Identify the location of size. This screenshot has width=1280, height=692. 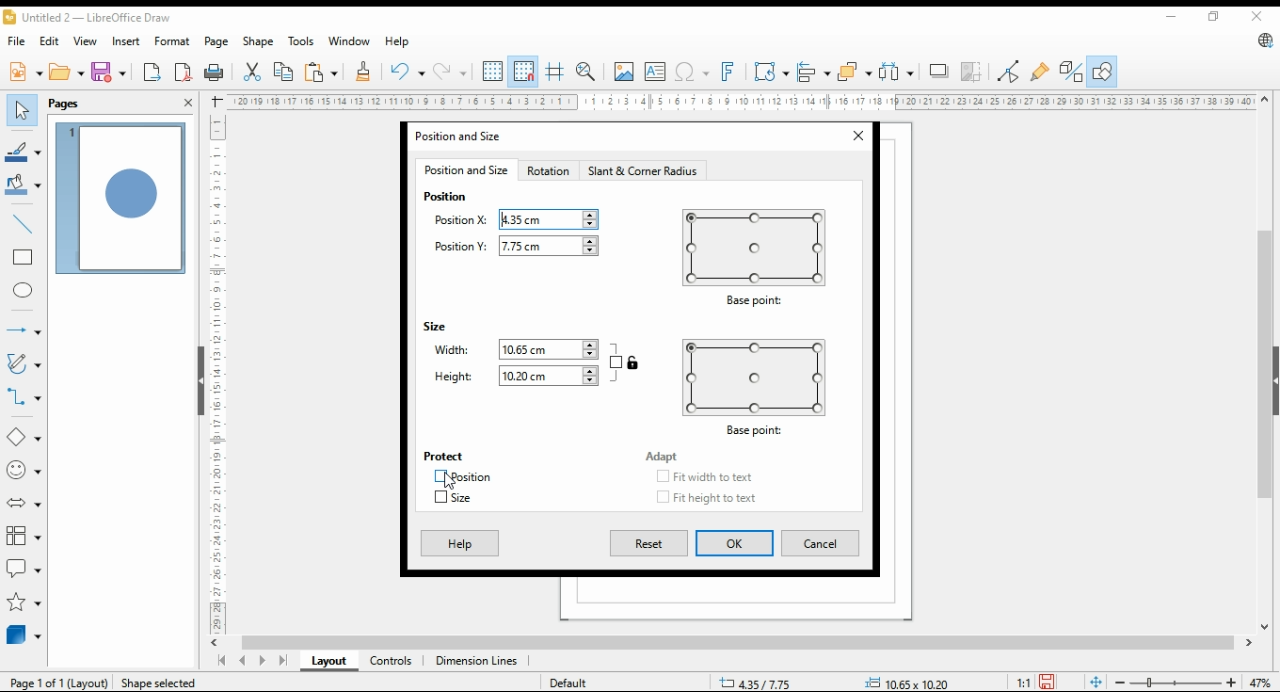
(436, 328).